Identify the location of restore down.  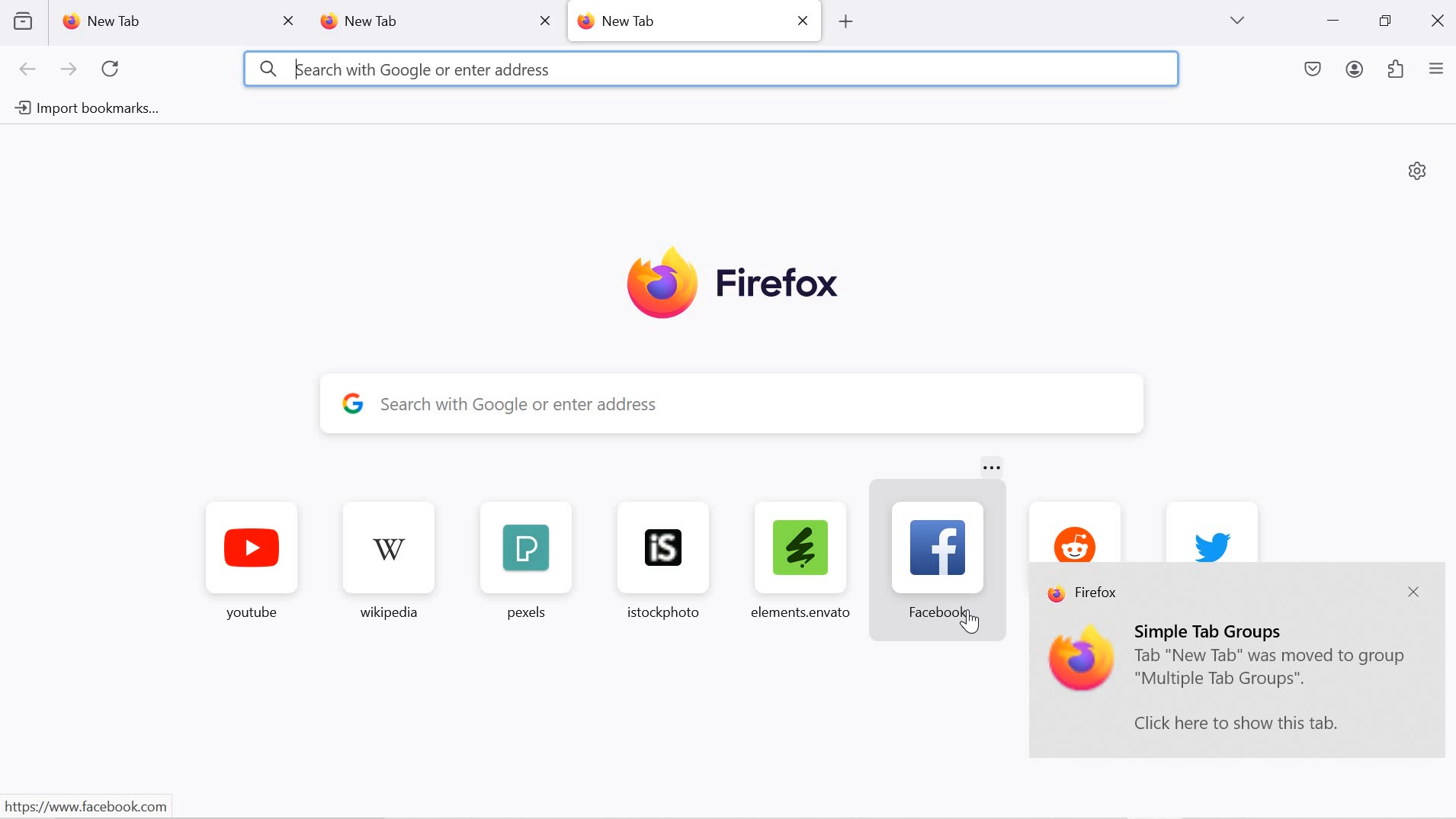
(1384, 21).